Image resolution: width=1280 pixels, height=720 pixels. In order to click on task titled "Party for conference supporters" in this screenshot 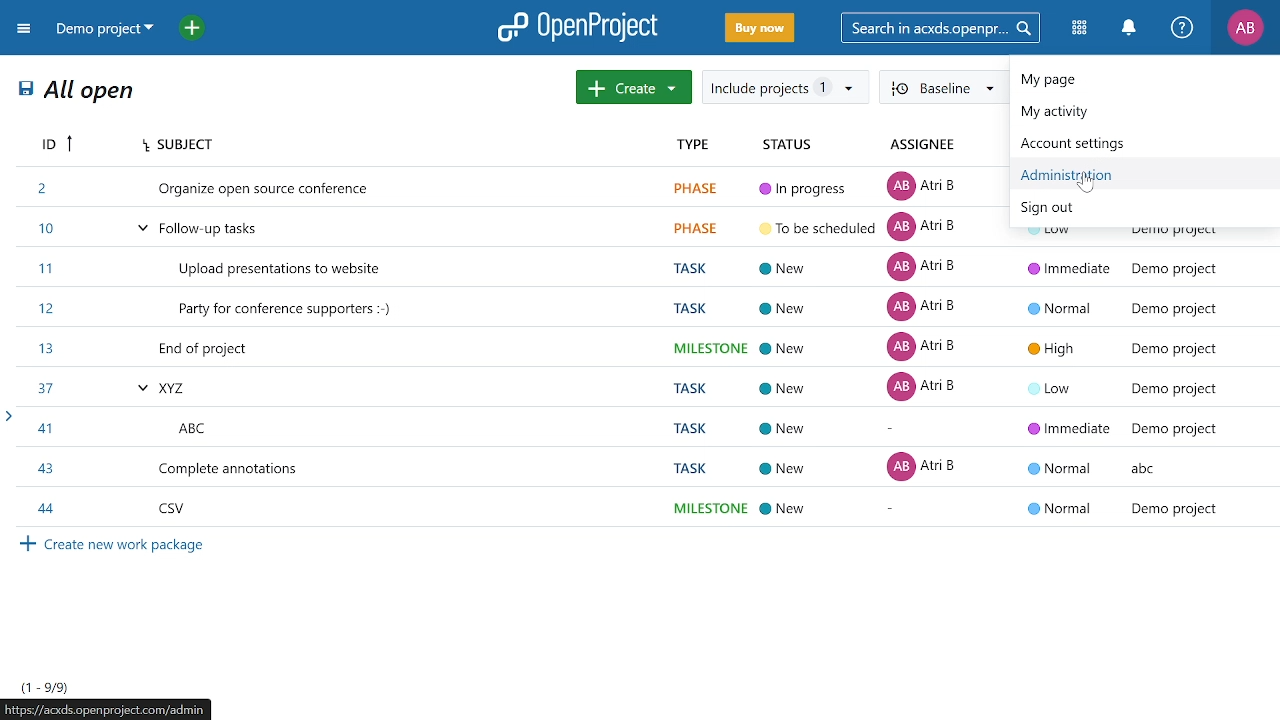, I will do `click(642, 310)`.